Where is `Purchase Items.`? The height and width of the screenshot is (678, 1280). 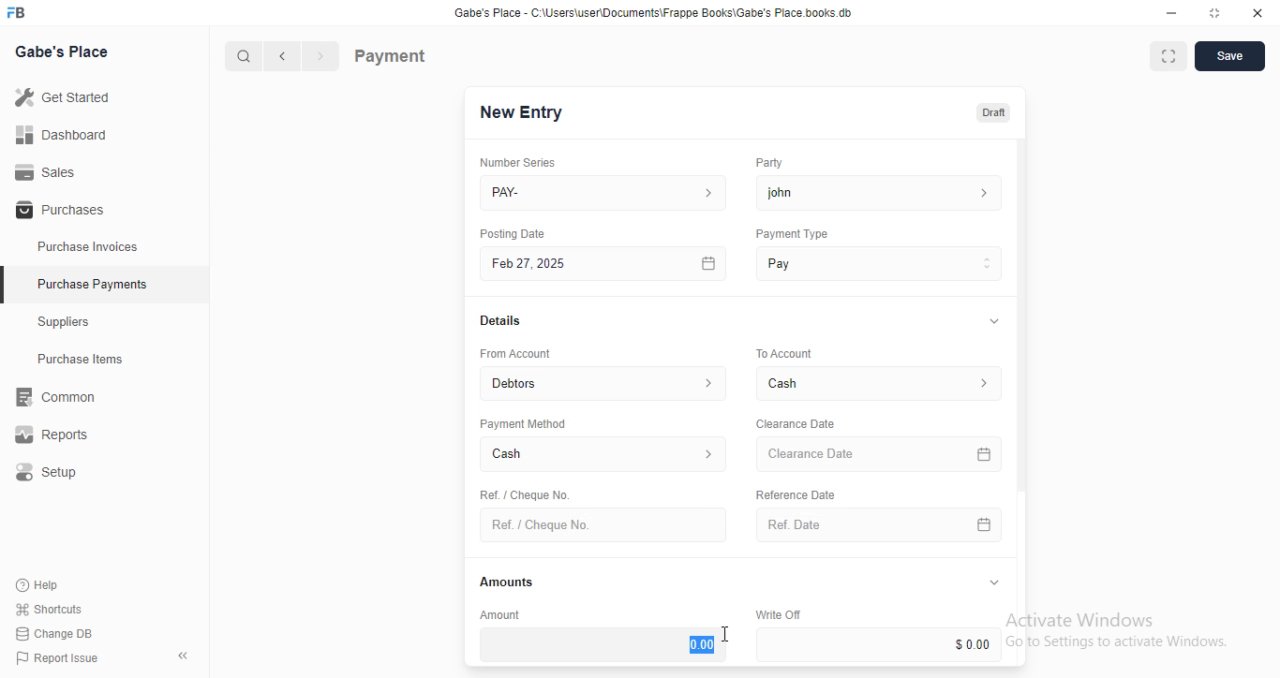
Purchase Items. is located at coordinates (87, 361).